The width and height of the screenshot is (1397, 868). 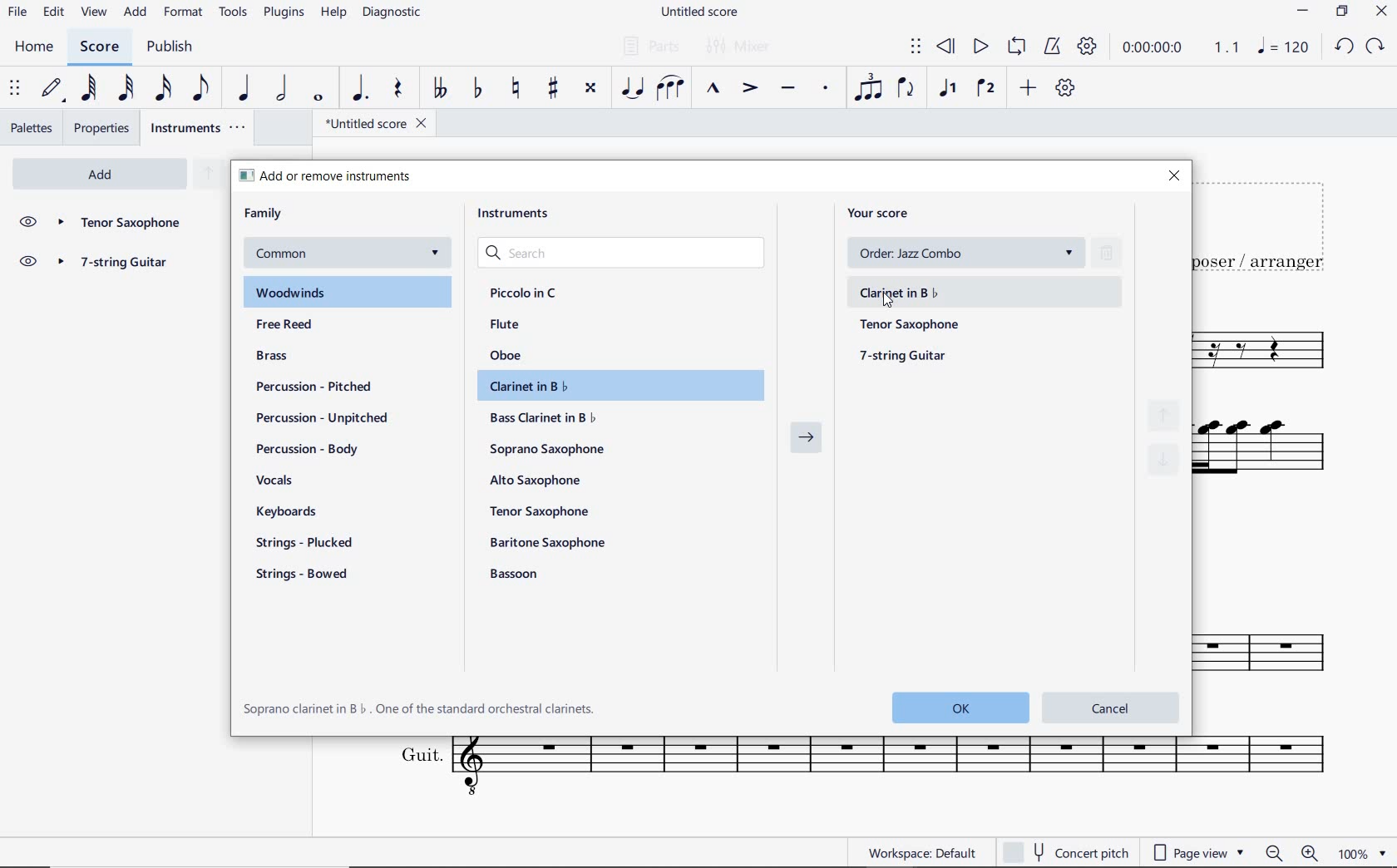 What do you see at coordinates (911, 325) in the screenshot?
I see `tenor saxophone` at bounding box center [911, 325].